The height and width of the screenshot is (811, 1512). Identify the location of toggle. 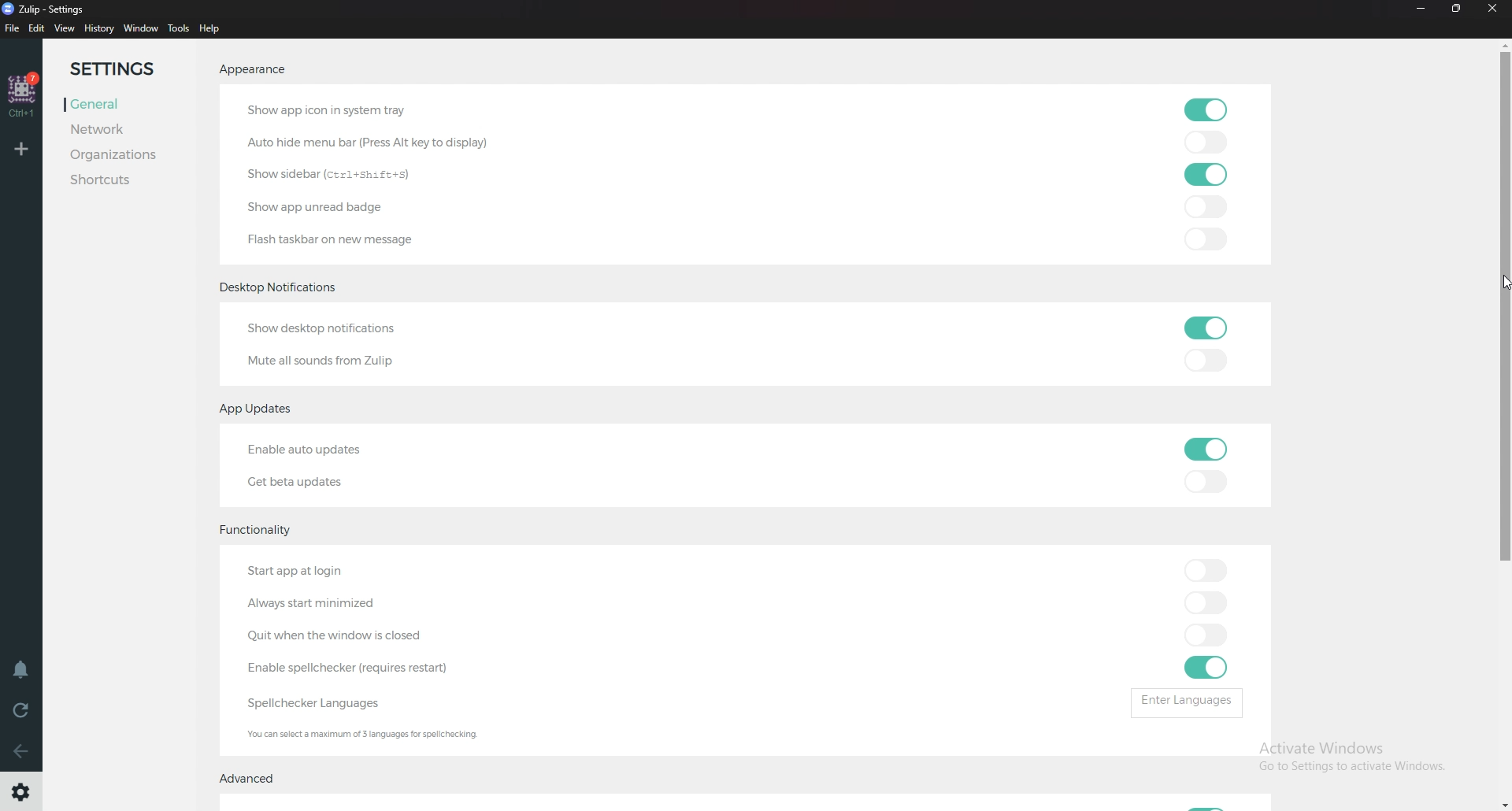
(1201, 483).